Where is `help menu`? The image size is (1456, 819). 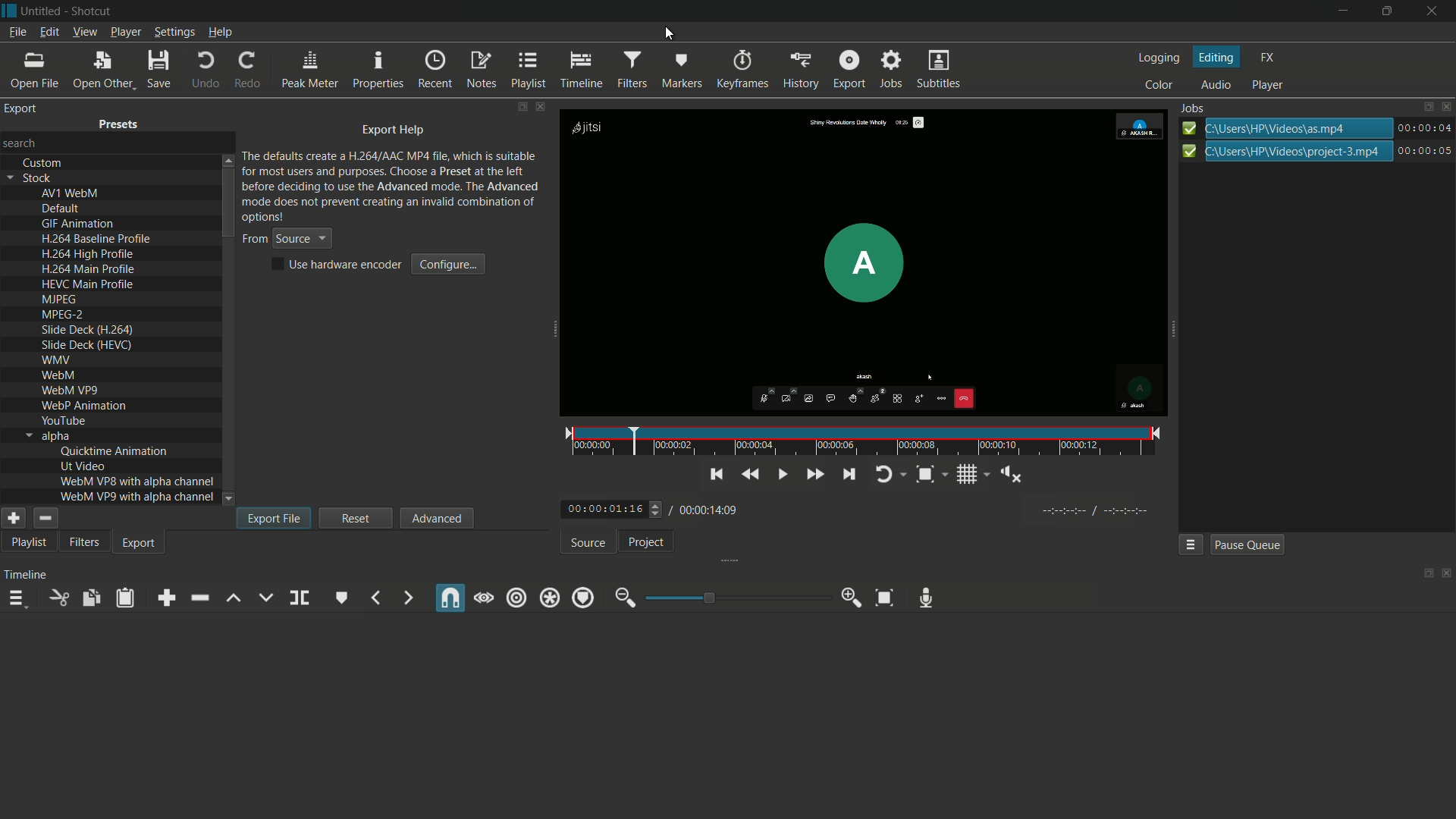 help menu is located at coordinates (221, 33).